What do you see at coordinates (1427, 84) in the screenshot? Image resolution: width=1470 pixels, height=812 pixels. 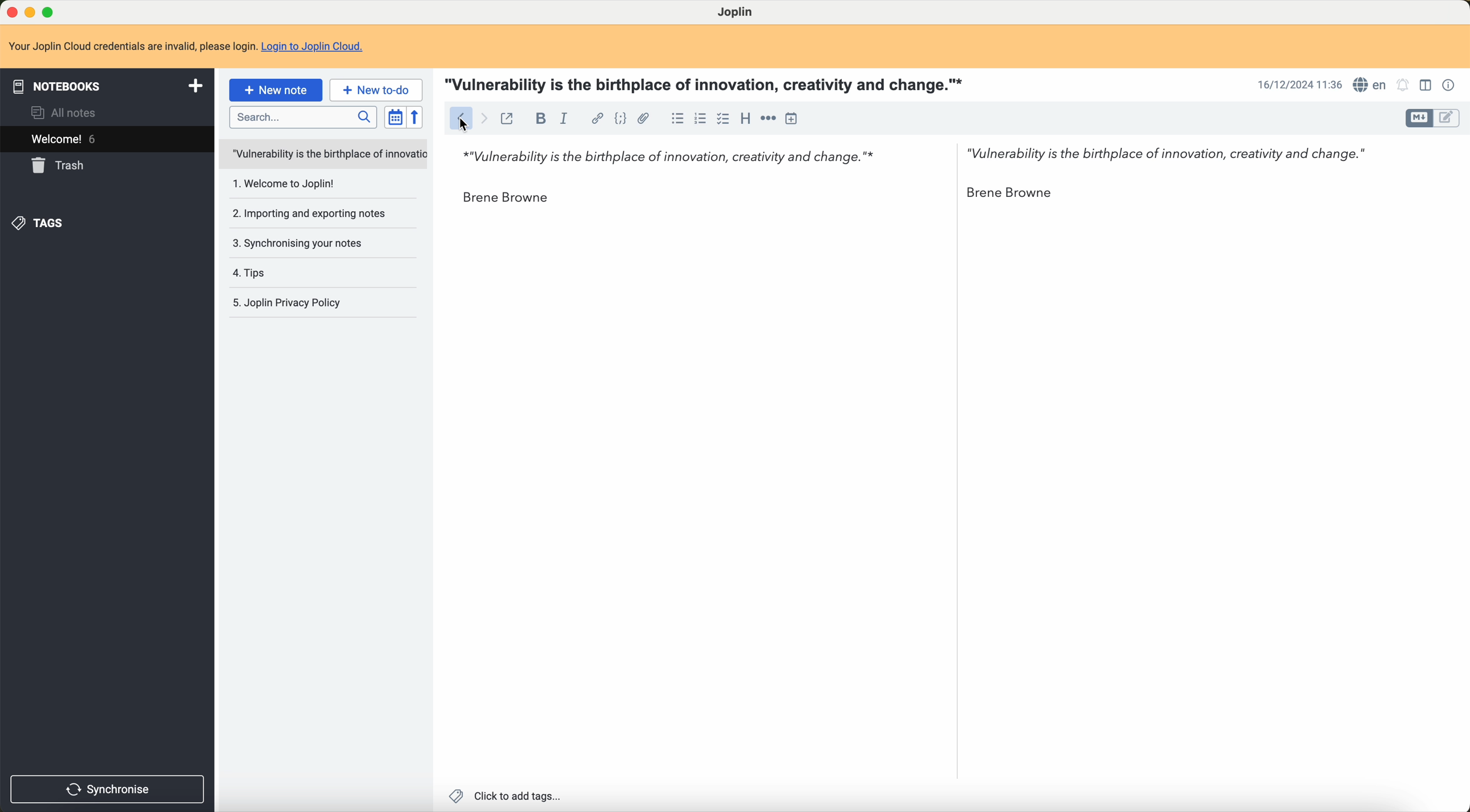 I see `toggle editor layout` at bounding box center [1427, 84].